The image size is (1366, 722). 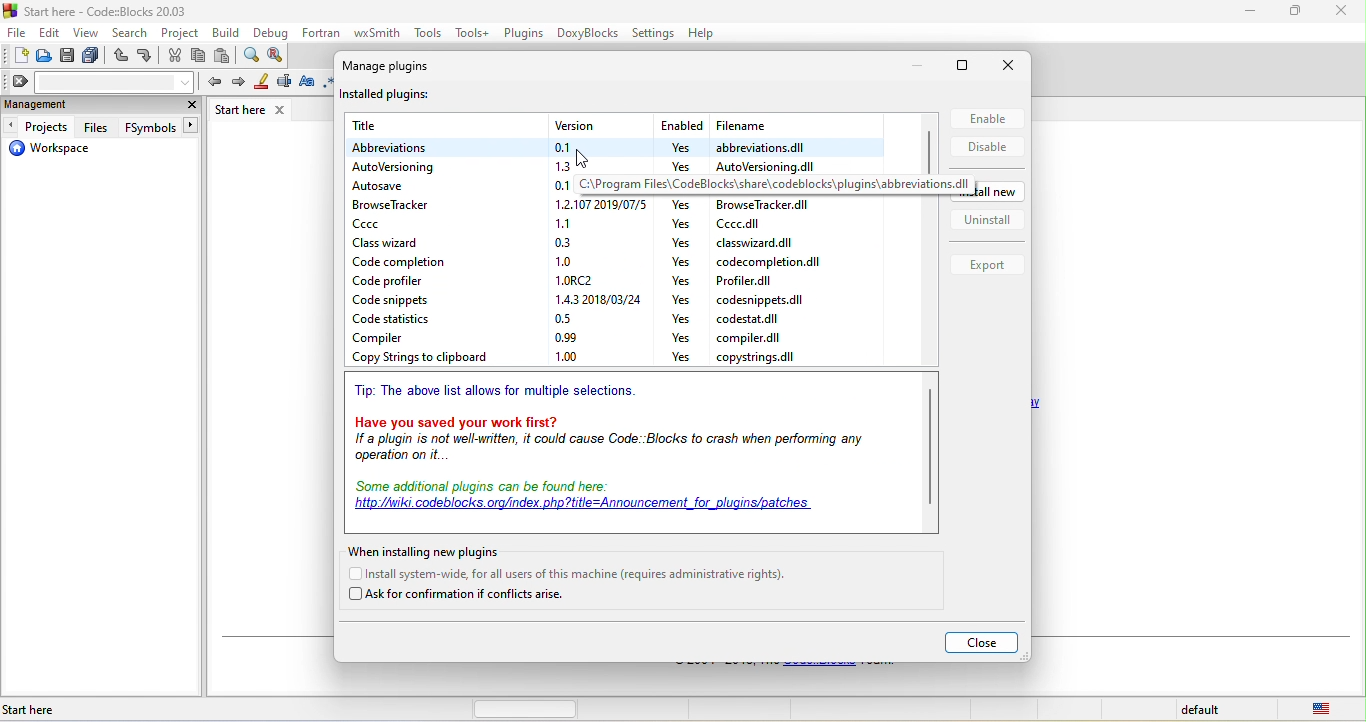 I want to click on when installing new plugin, so click(x=426, y=550).